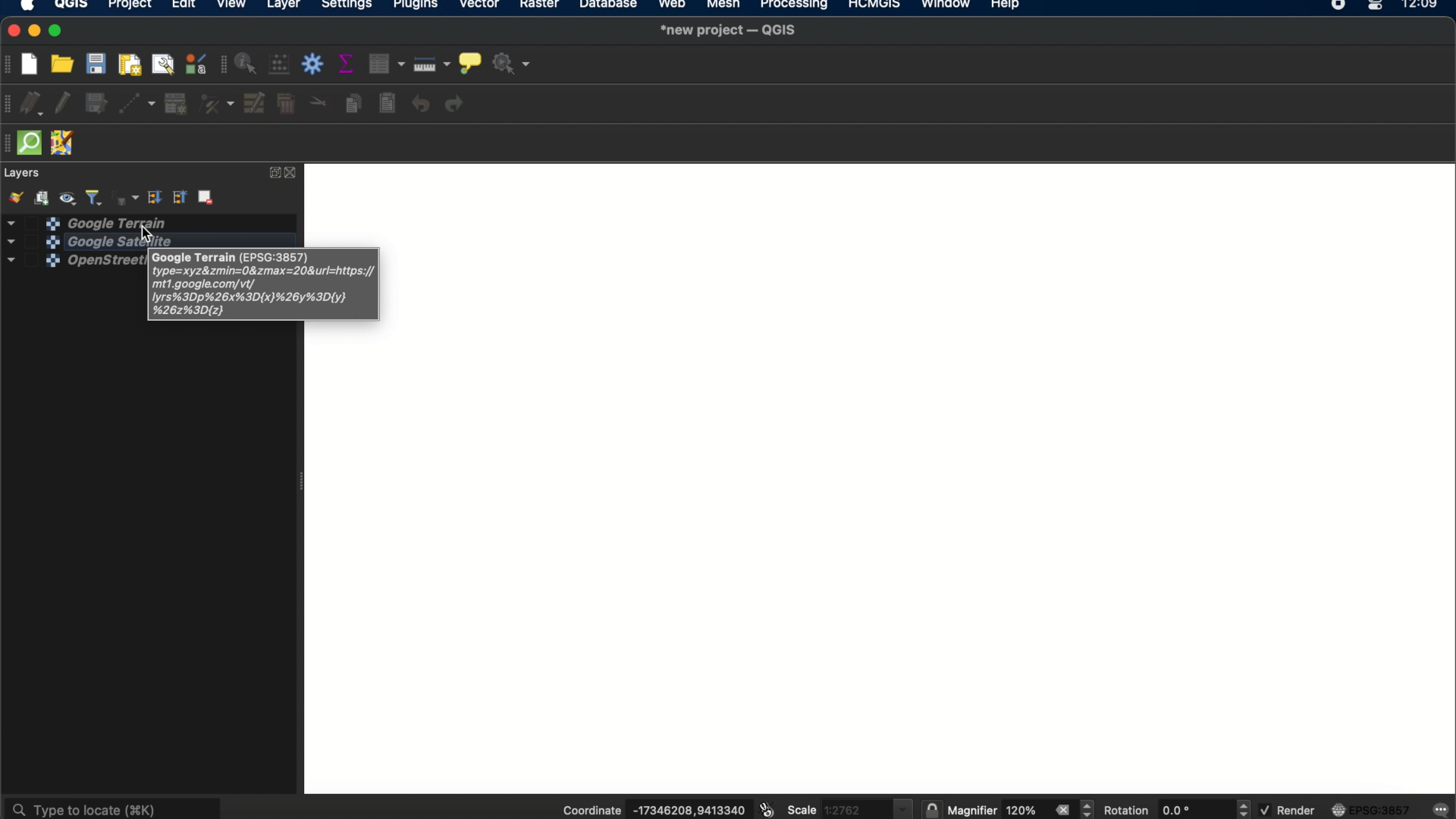 Image resolution: width=1456 pixels, height=819 pixels. What do you see at coordinates (673, 6) in the screenshot?
I see `web` at bounding box center [673, 6].